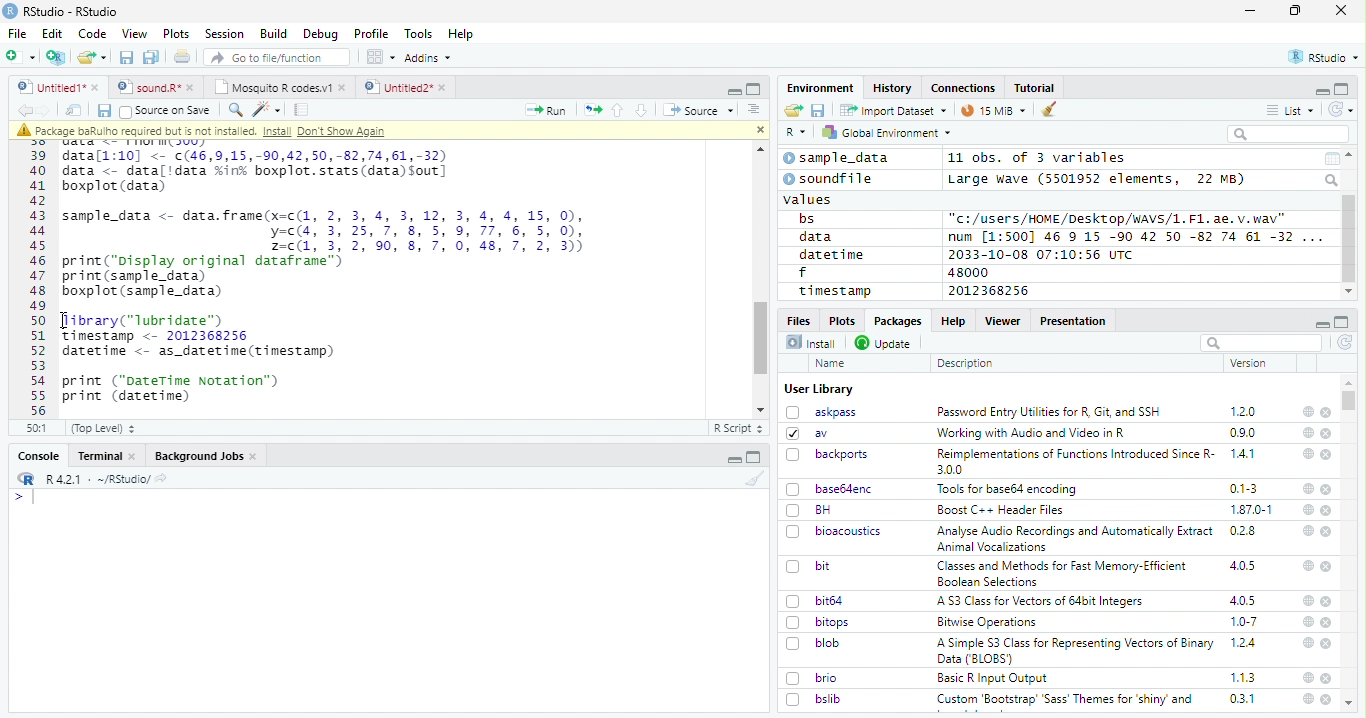 This screenshot has width=1366, height=718. What do you see at coordinates (819, 111) in the screenshot?
I see `Save` at bounding box center [819, 111].